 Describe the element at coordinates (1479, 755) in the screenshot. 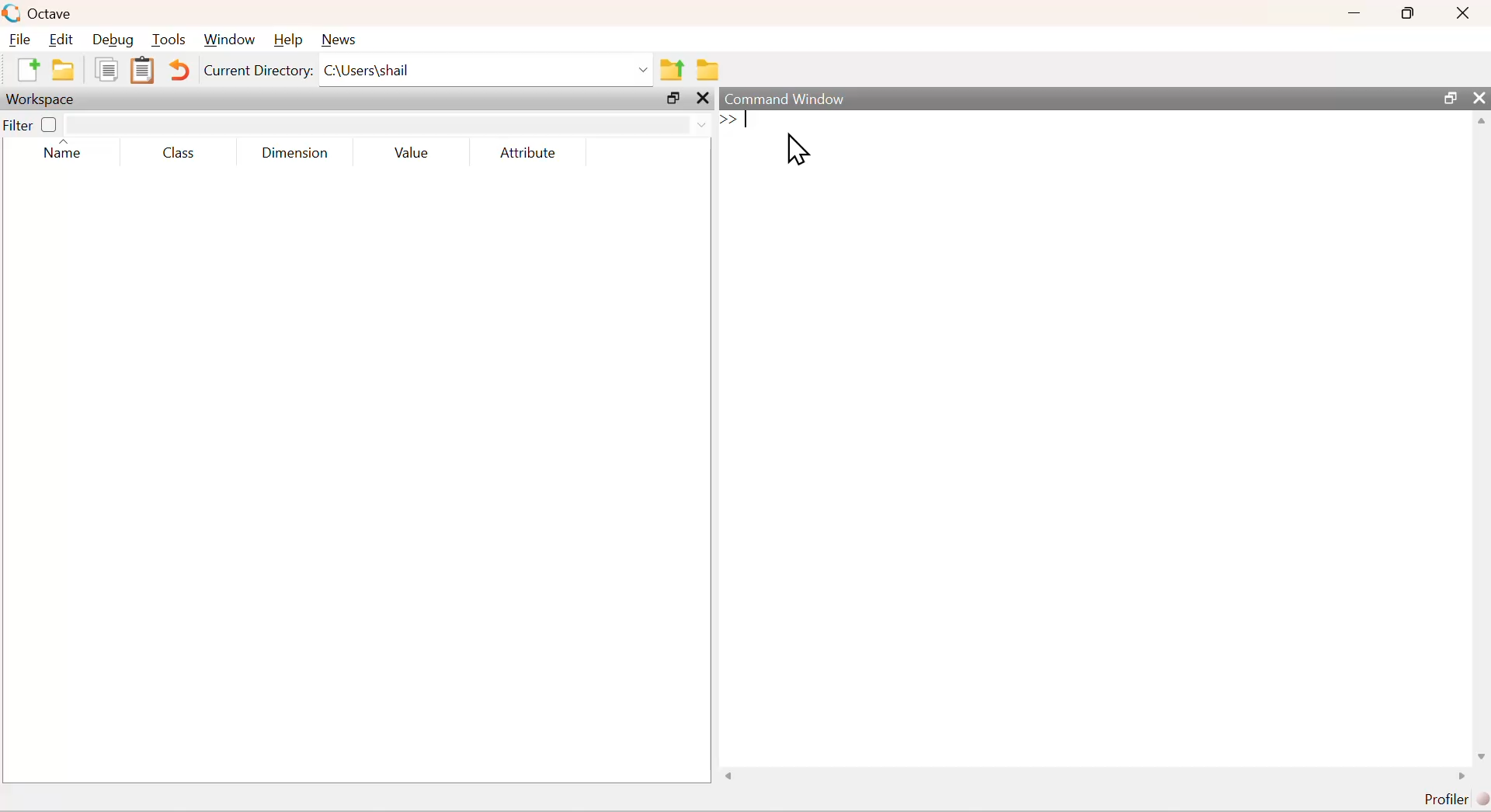

I see `scroll bar down` at that location.